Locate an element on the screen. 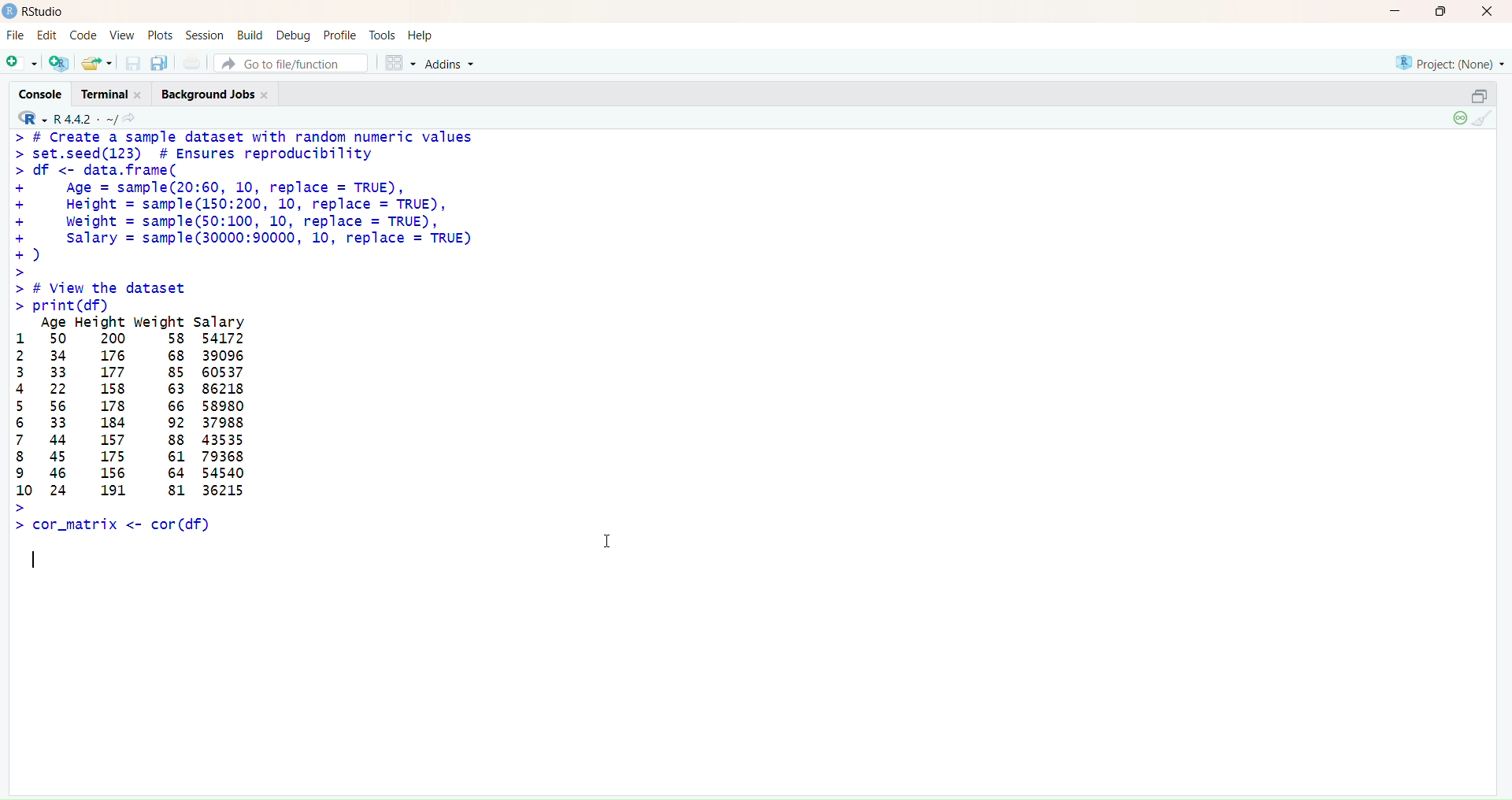  Console is located at coordinates (46, 93).